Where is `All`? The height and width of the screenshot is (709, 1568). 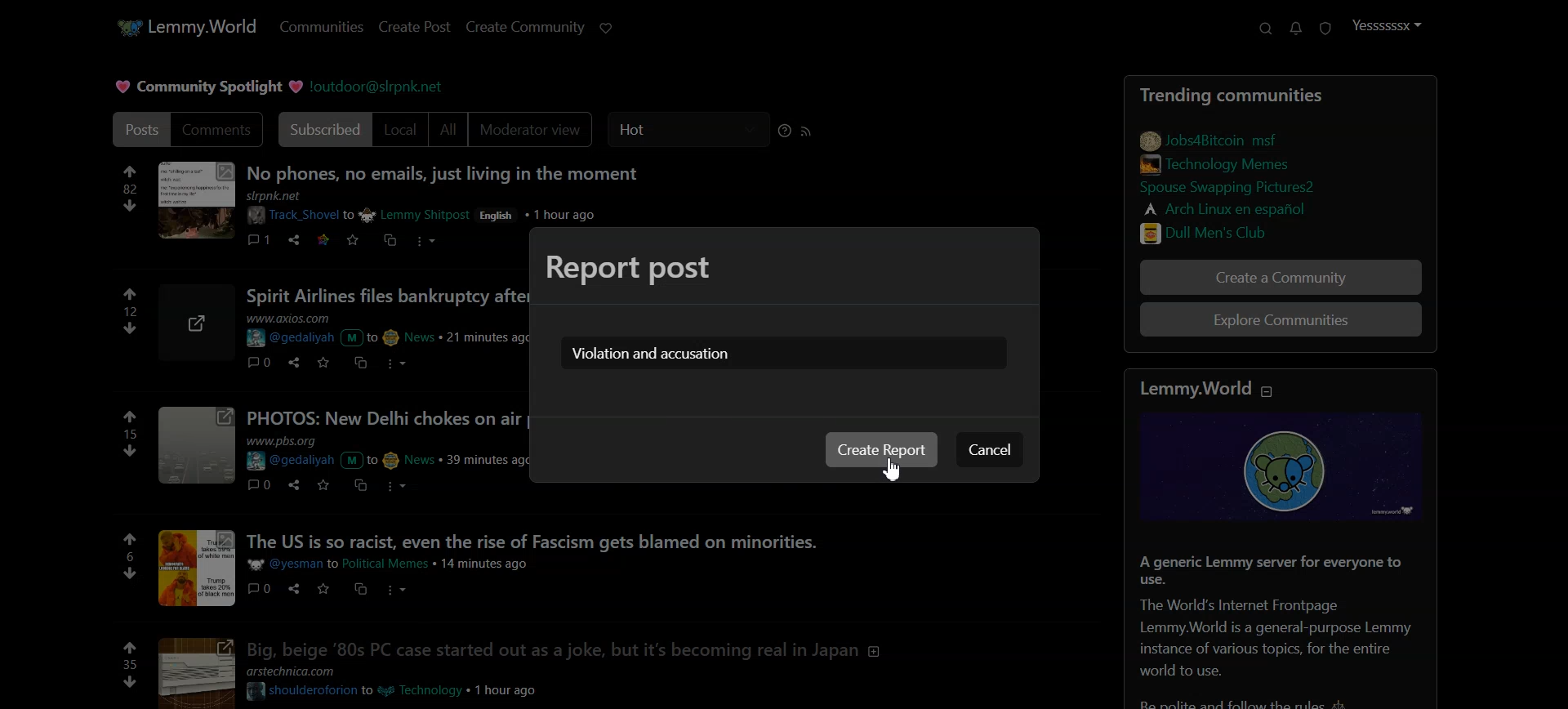
All is located at coordinates (448, 130).